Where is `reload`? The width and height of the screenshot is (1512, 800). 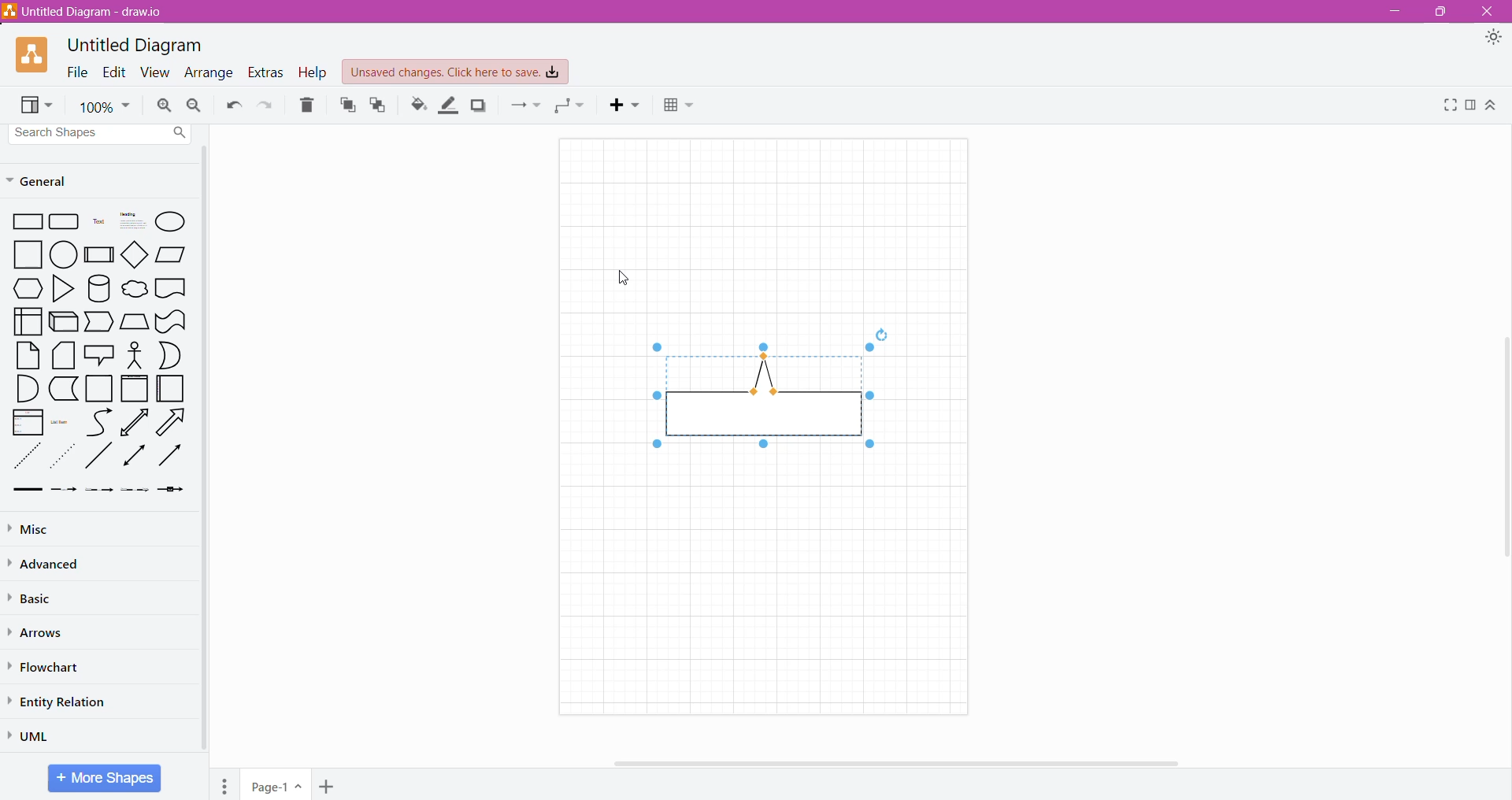
reload is located at coordinates (878, 332).